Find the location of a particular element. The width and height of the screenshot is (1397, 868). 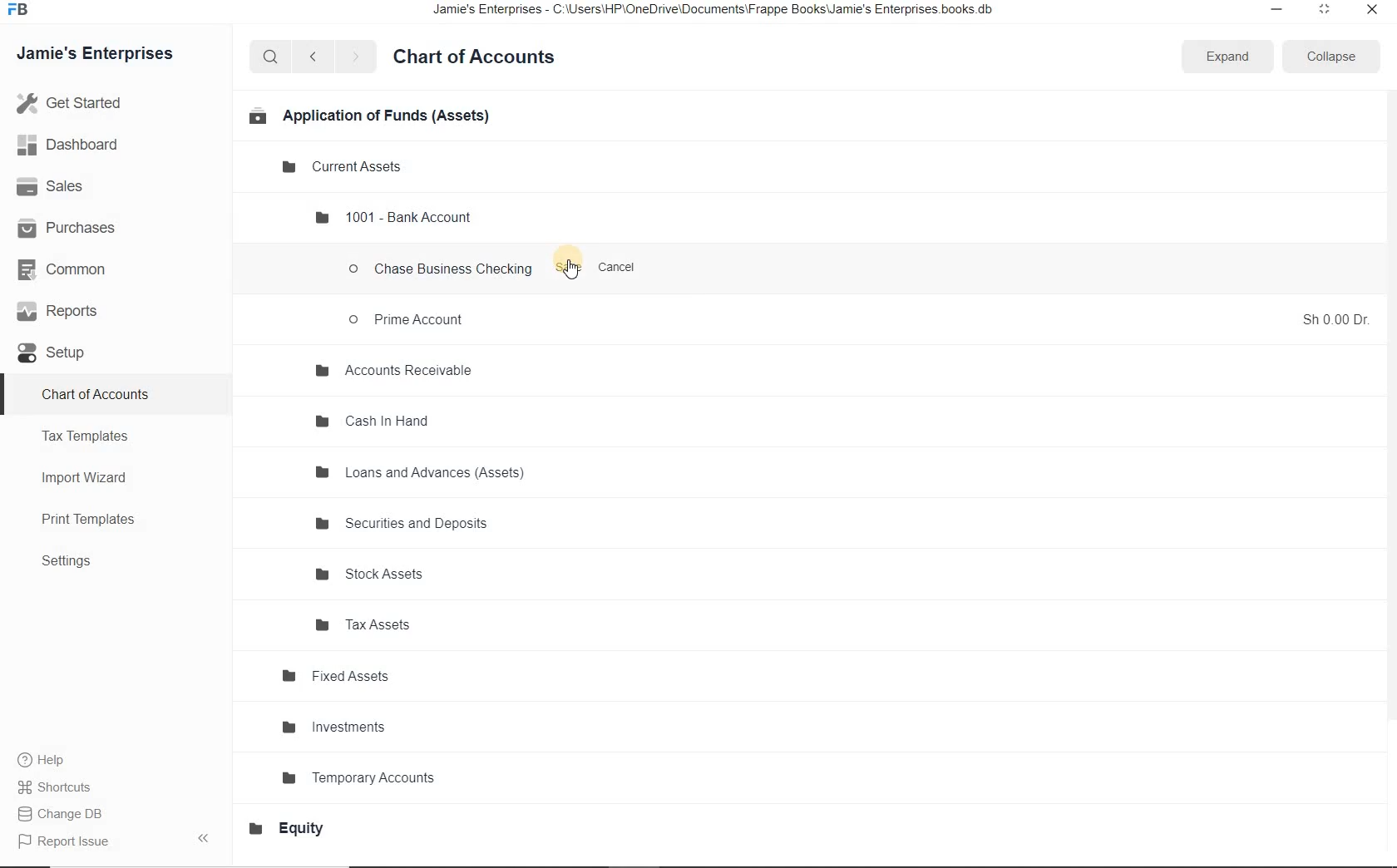

collapse is located at coordinates (1327, 57).